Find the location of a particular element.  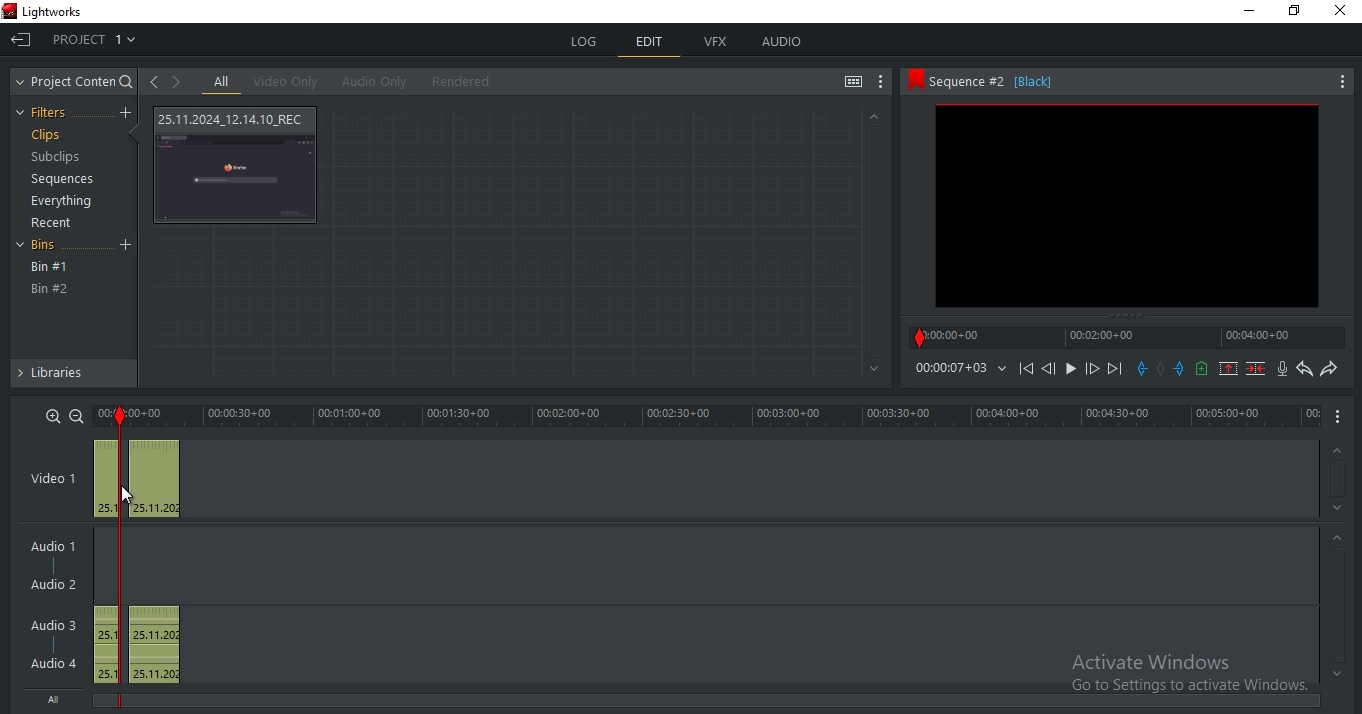

out mark is located at coordinates (119, 416).